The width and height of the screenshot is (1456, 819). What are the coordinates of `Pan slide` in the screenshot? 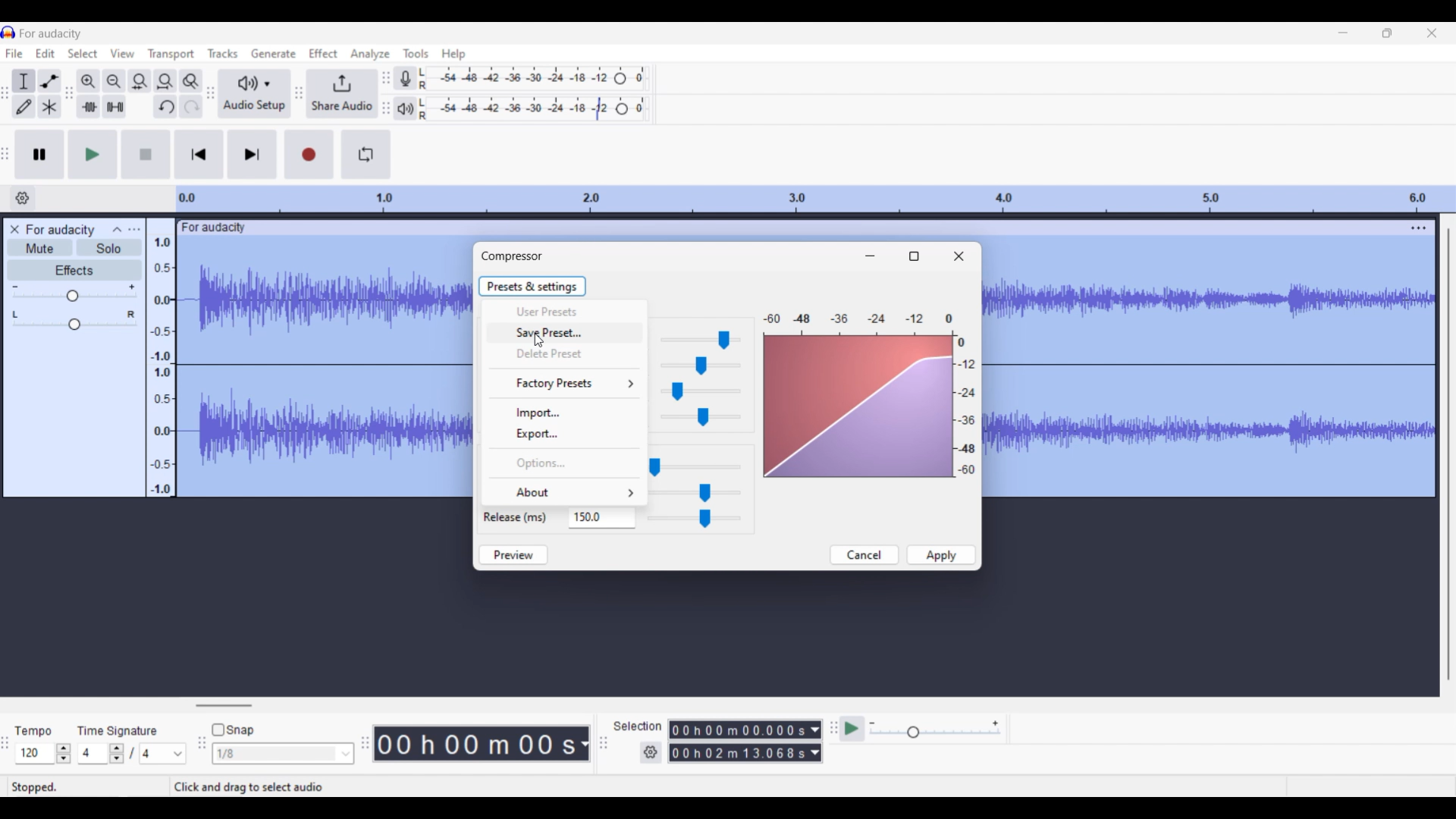 It's located at (74, 320).